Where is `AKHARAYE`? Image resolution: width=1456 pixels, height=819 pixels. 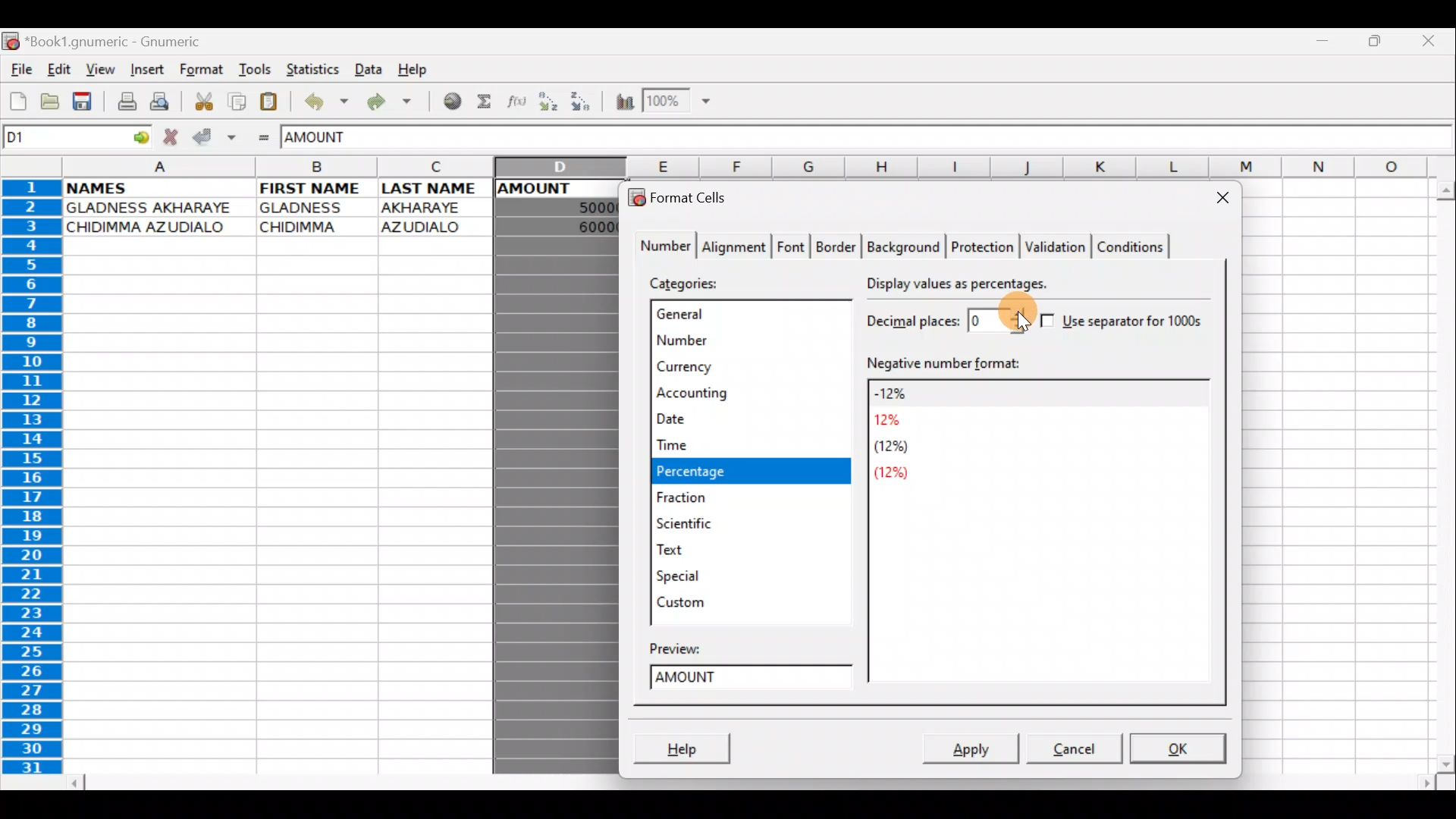
AKHARAYE is located at coordinates (423, 207).